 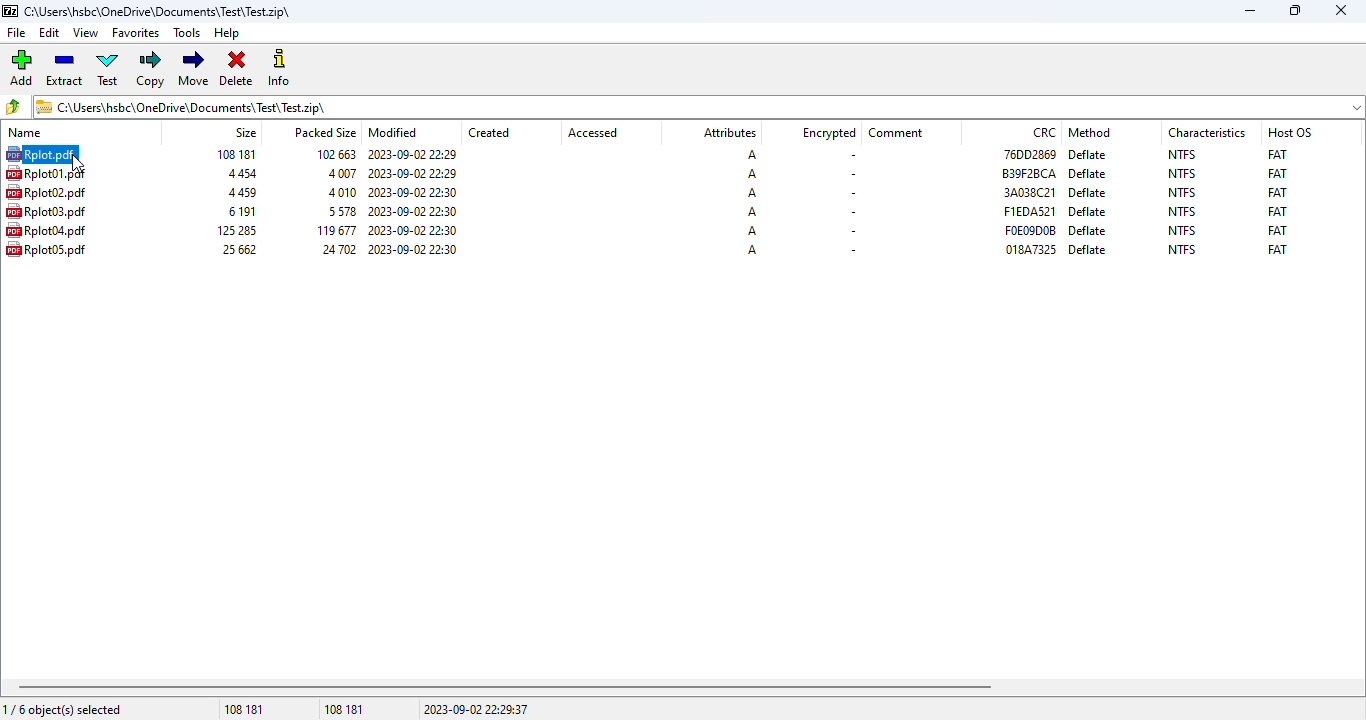 What do you see at coordinates (50, 33) in the screenshot?
I see `edit` at bounding box center [50, 33].